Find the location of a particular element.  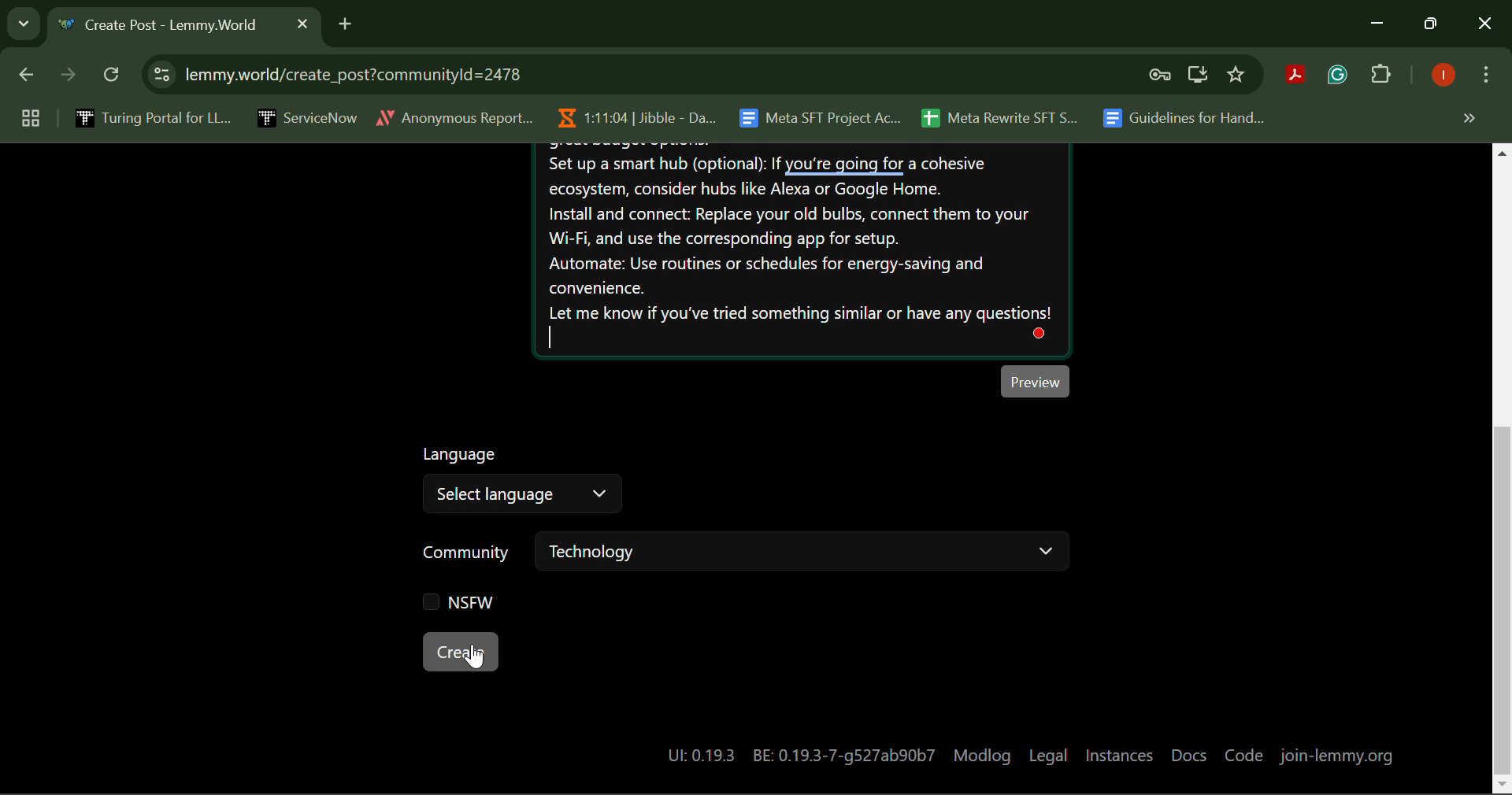

Community Selector Bar is located at coordinates (742, 553).